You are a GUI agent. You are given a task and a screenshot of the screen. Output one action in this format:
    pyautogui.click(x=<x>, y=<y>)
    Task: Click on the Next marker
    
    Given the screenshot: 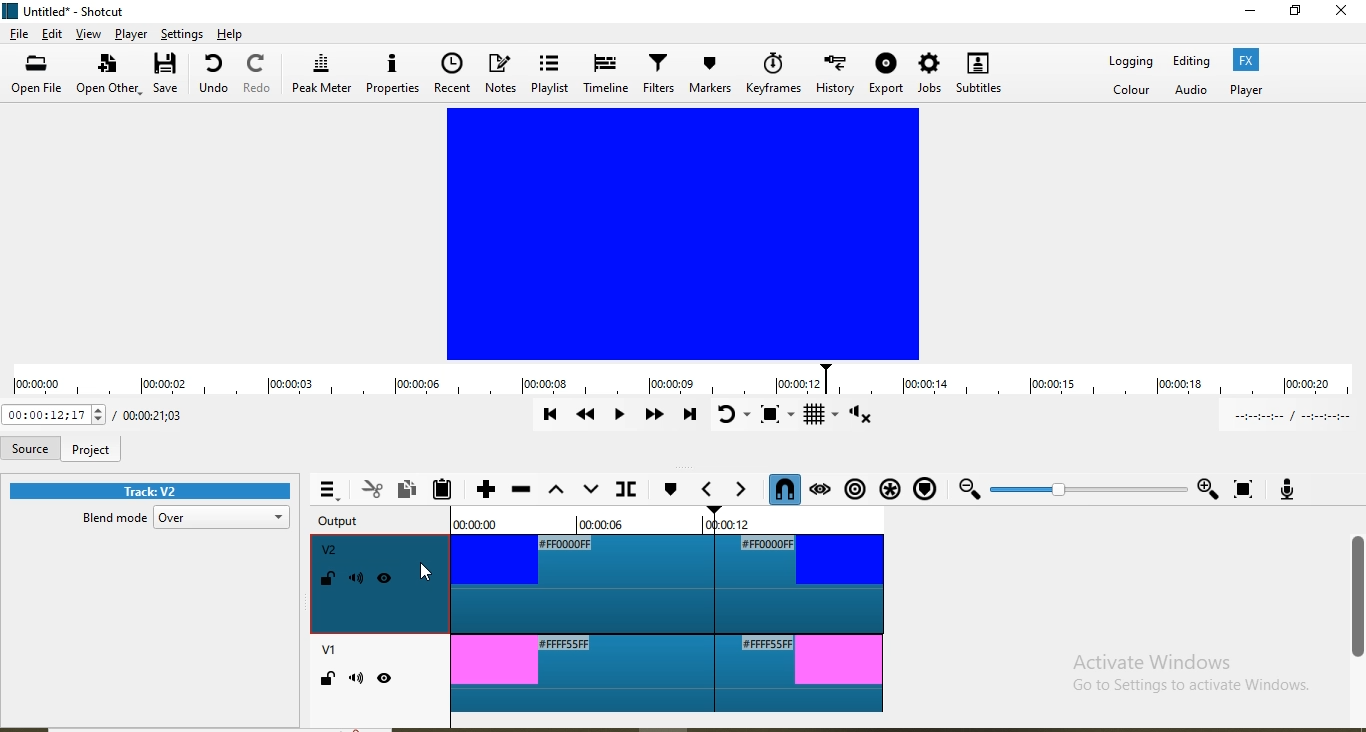 What is the action you would take?
    pyautogui.click(x=744, y=491)
    